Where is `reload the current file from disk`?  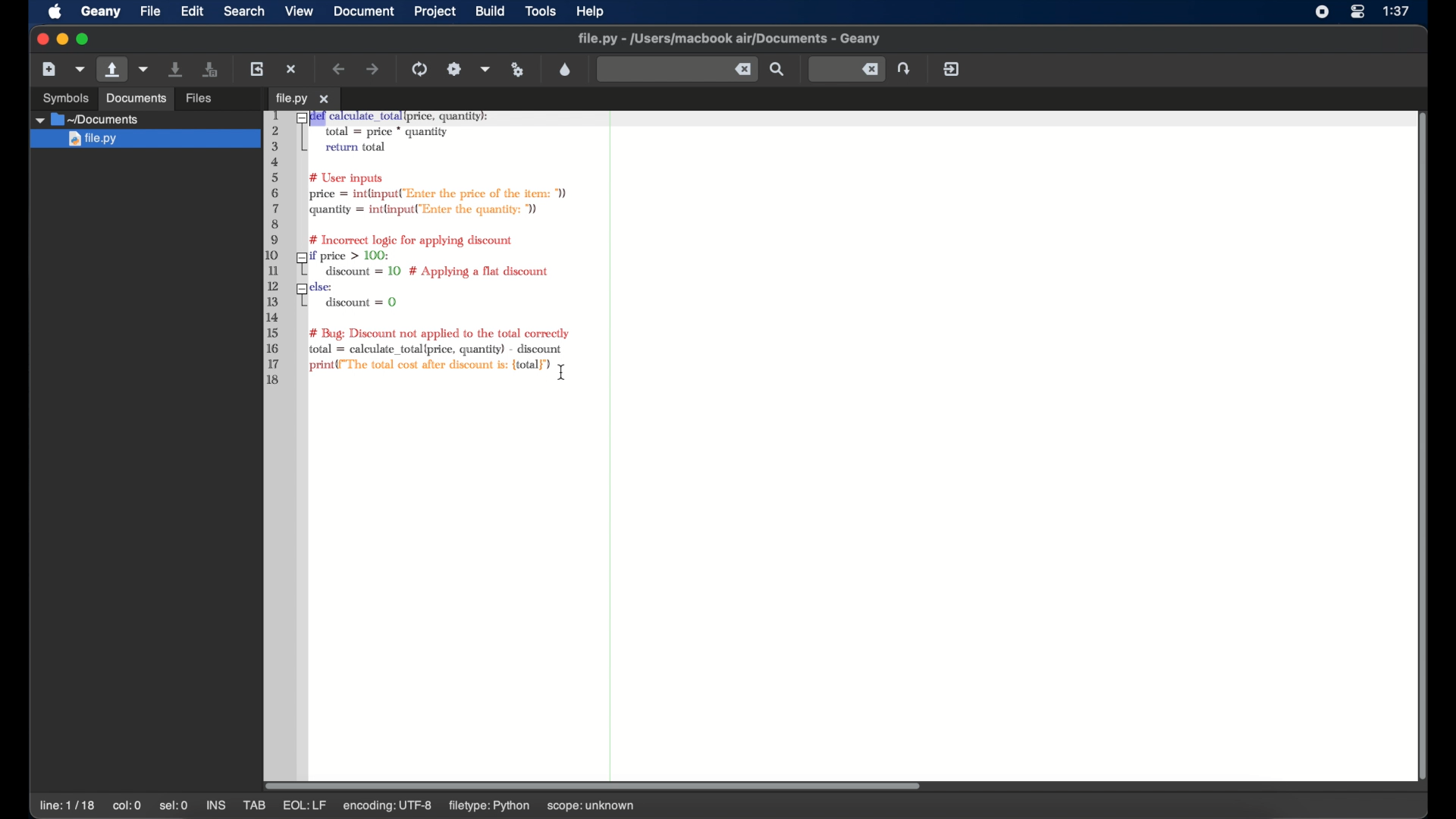 reload the current file from disk is located at coordinates (258, 68).